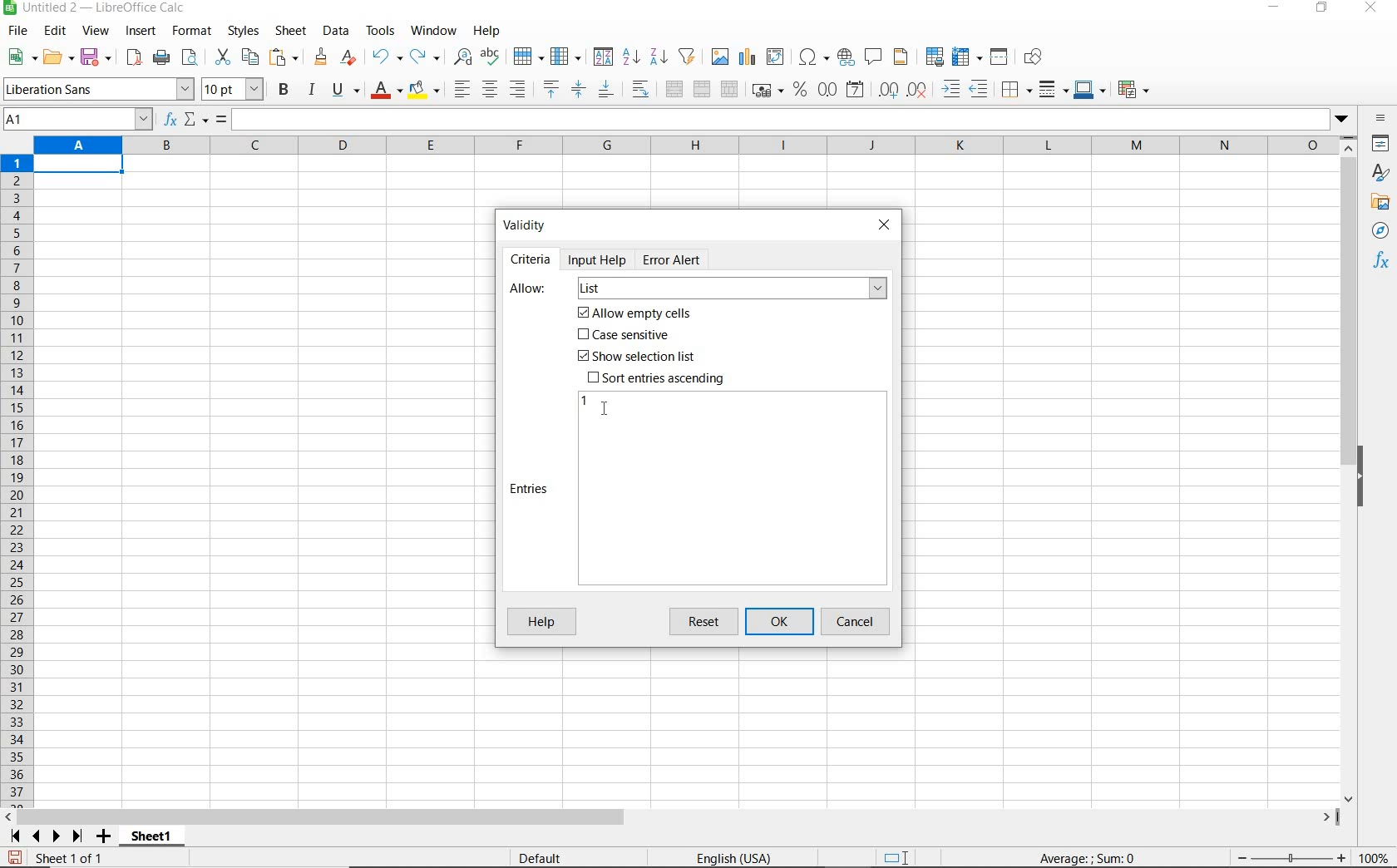  I want to click on delete decimal place, so click(918, 89).